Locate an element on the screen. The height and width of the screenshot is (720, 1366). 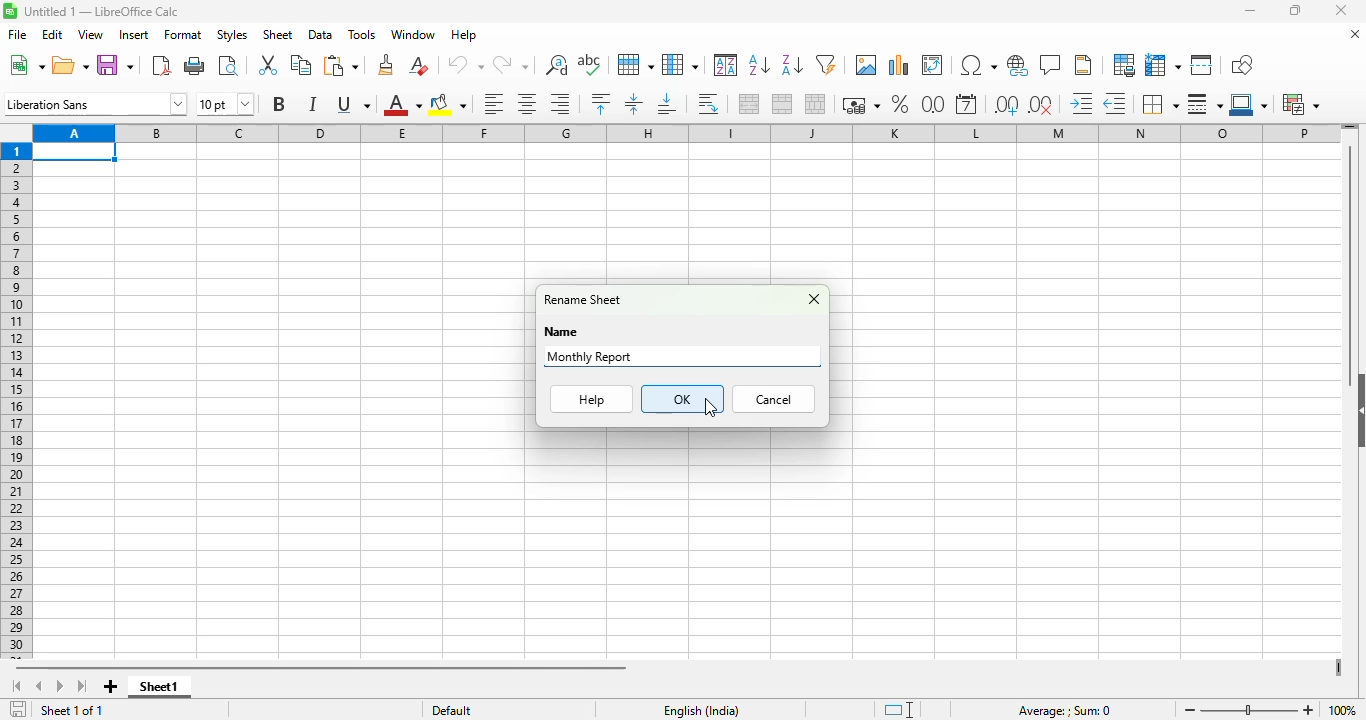
italic is located at coordinates (312, 104).